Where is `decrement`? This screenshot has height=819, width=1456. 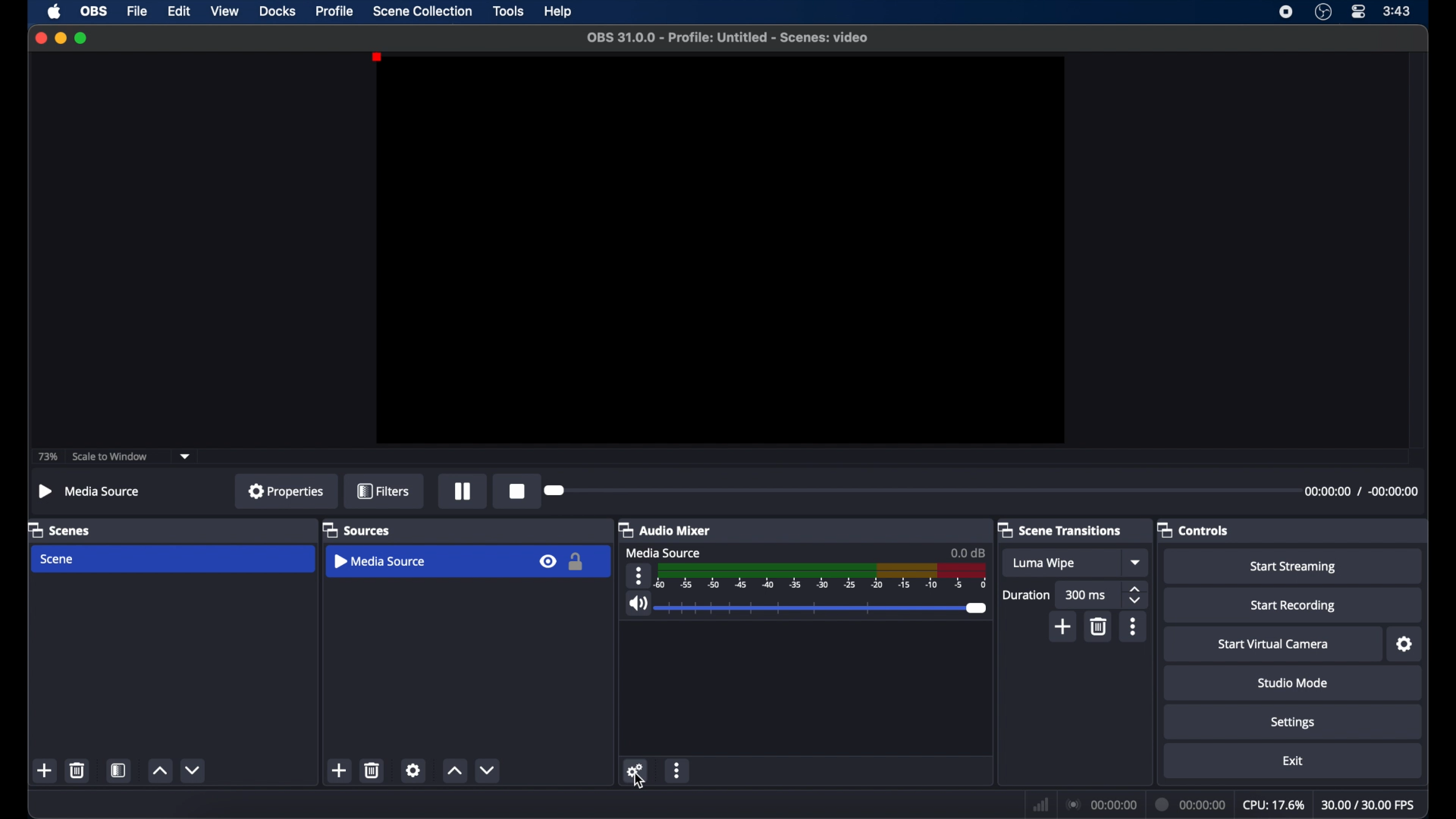 decrement is located at coordinates (194, 770).